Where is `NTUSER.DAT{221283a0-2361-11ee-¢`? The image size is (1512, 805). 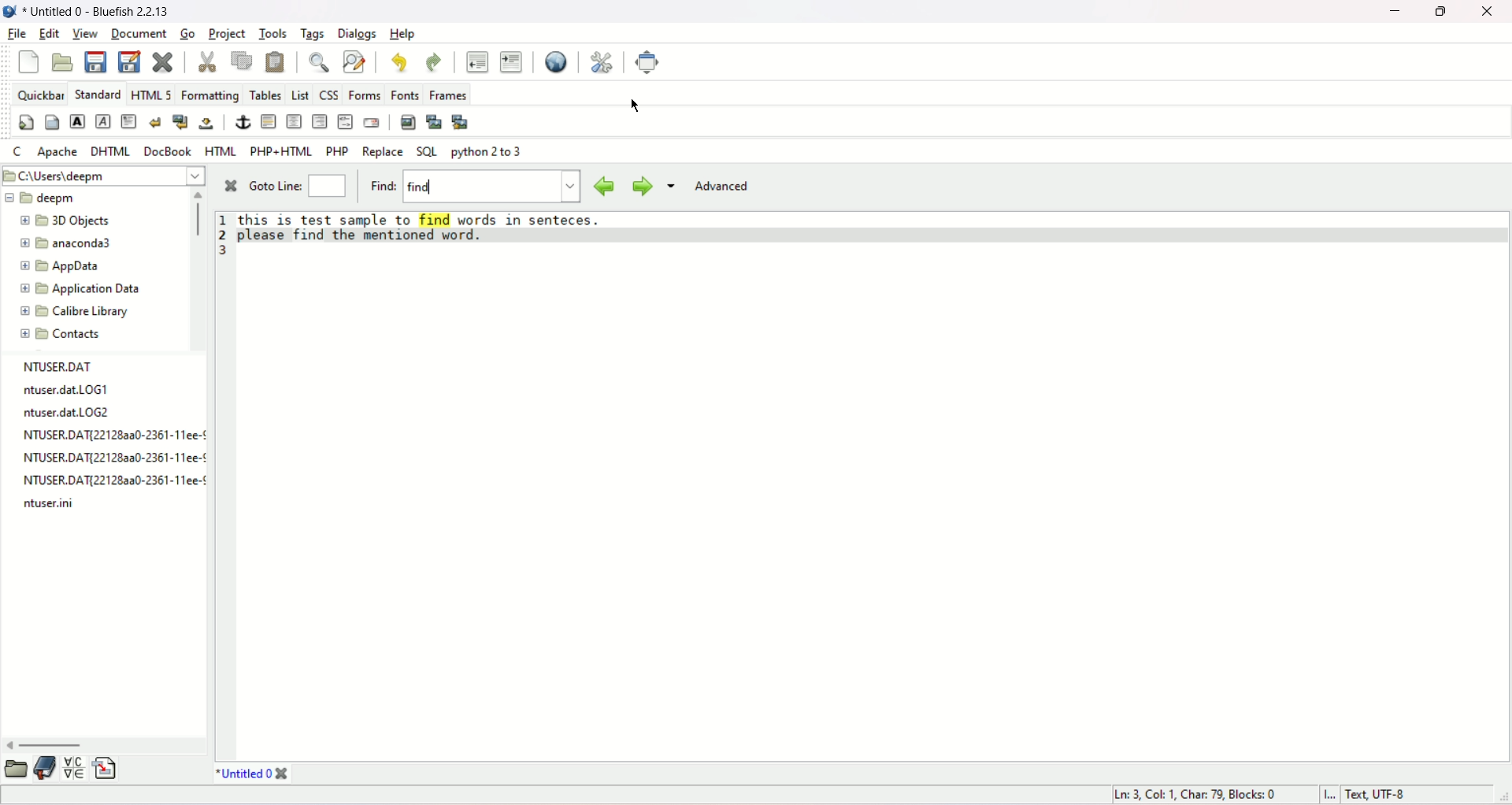 NTUSER.DAT{221283a0-2361-11ee-¢ is located at coordinates (109, 457).